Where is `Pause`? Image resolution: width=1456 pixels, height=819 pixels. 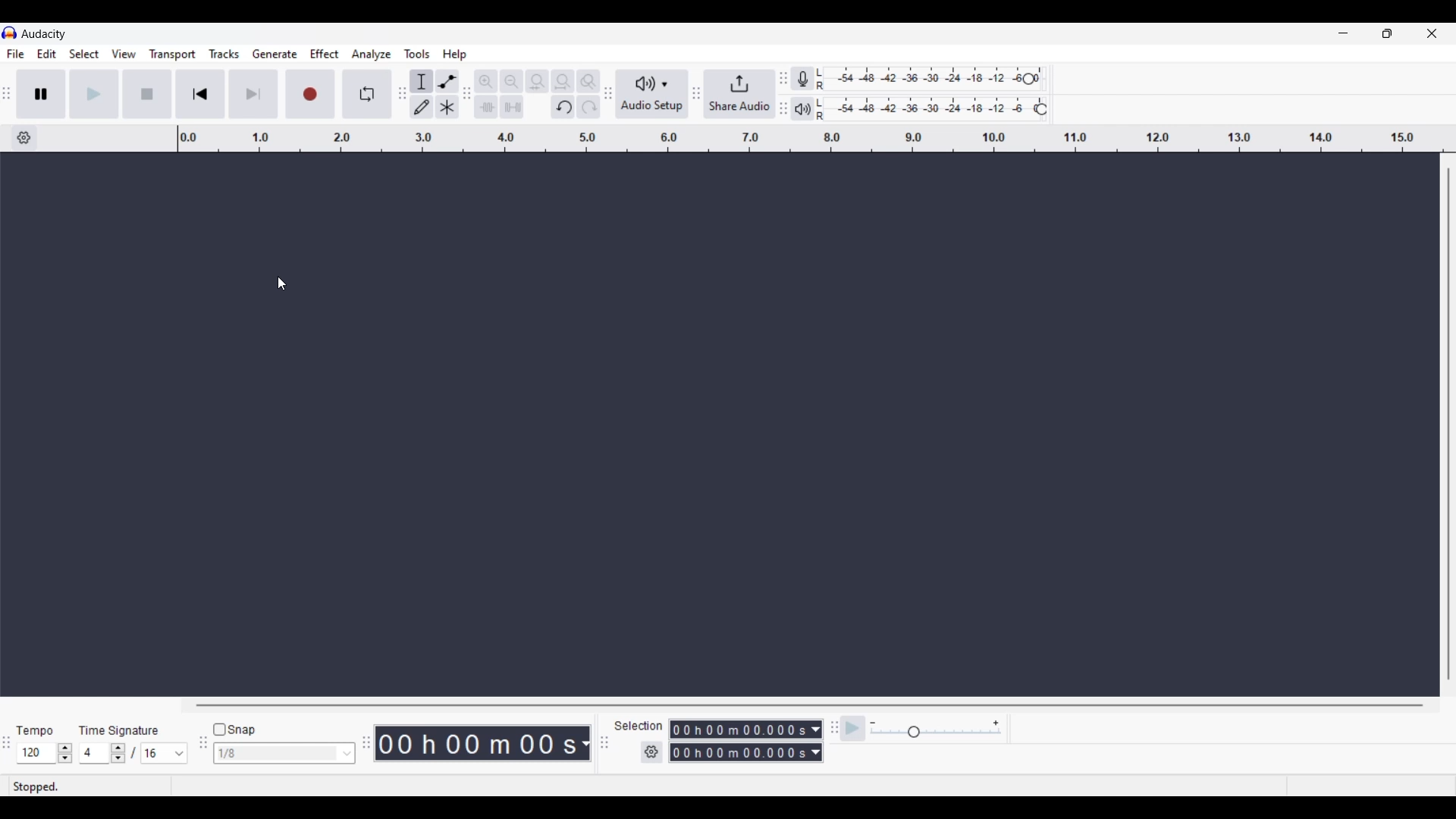 Pause is located at coordinates (41, 93).